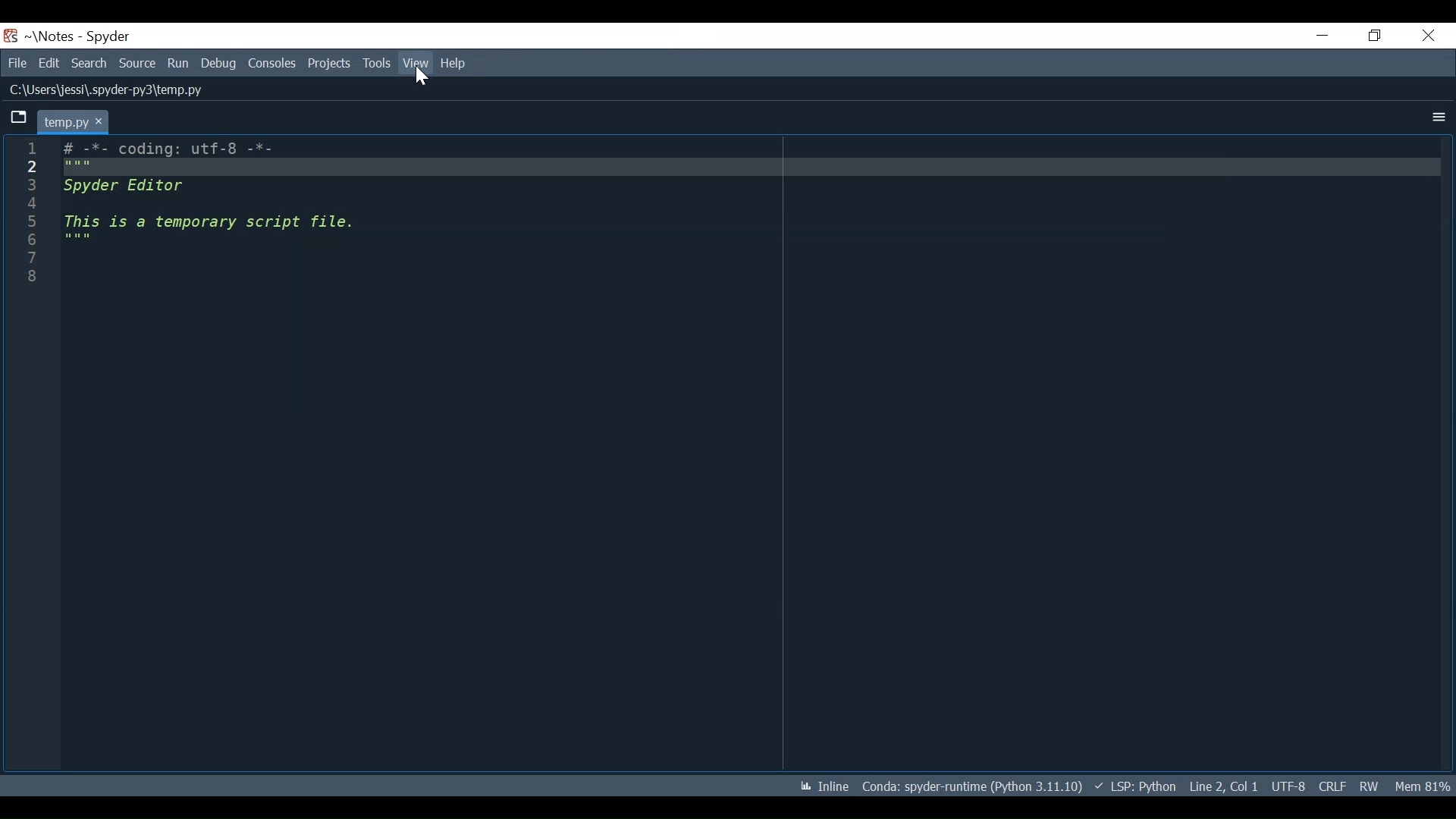 The height and width of the screenshot is (819, 1456). I want to click on Consoles, so click(271, 63).